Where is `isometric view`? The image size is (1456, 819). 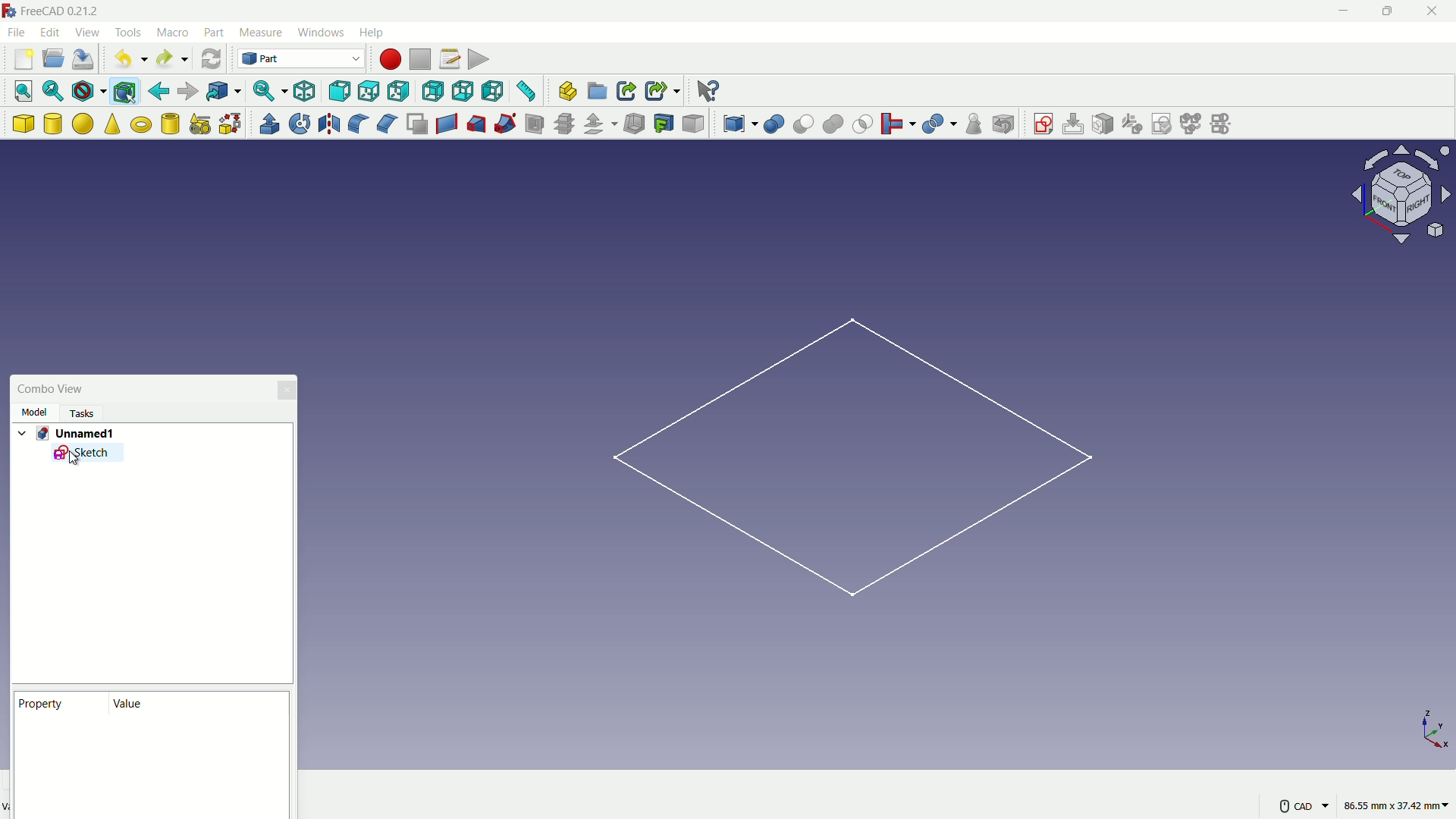 isometric view is located at coordinates (305, 92).